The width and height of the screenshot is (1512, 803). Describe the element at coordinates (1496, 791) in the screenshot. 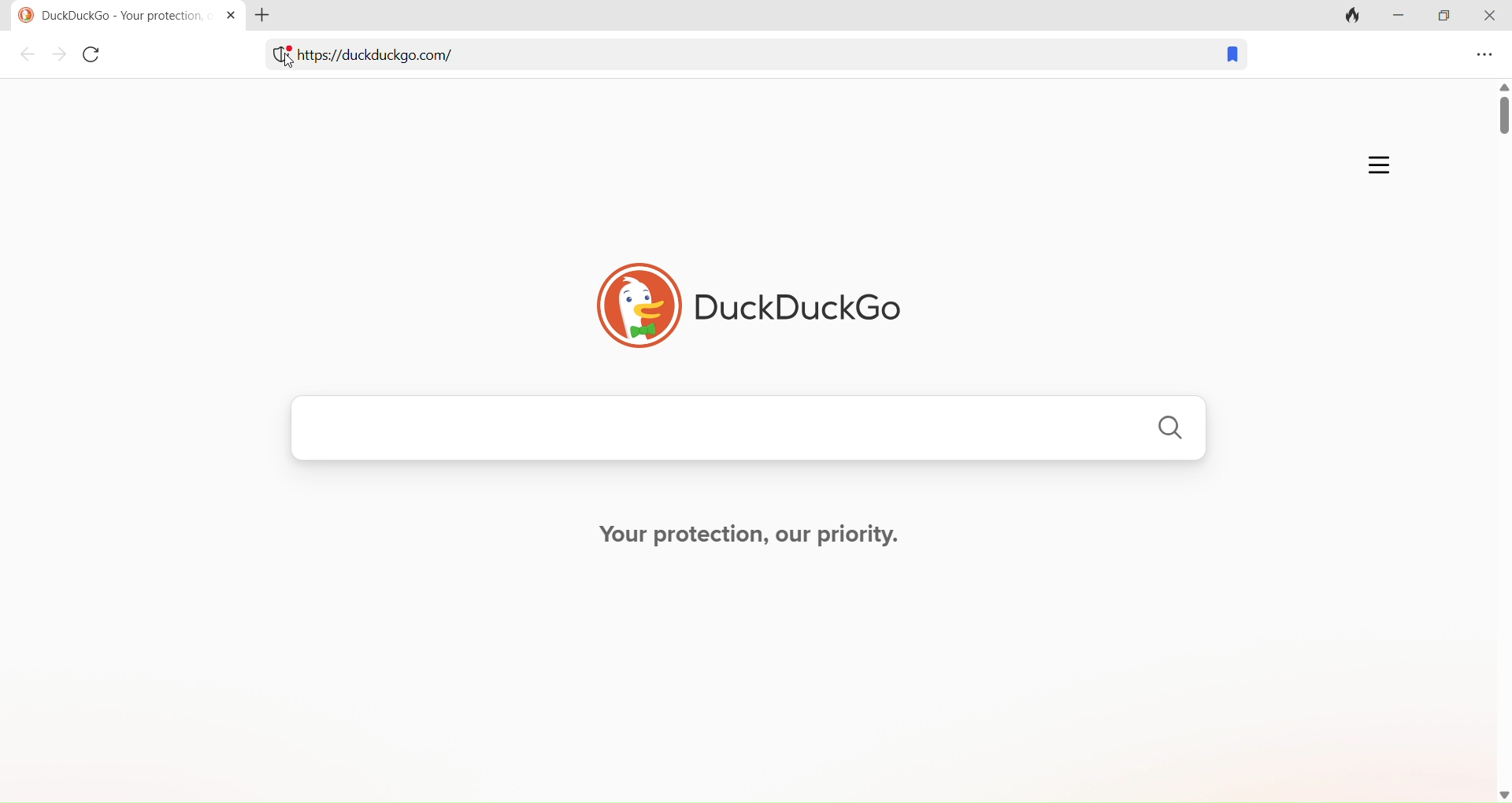

I see `down` at that location.